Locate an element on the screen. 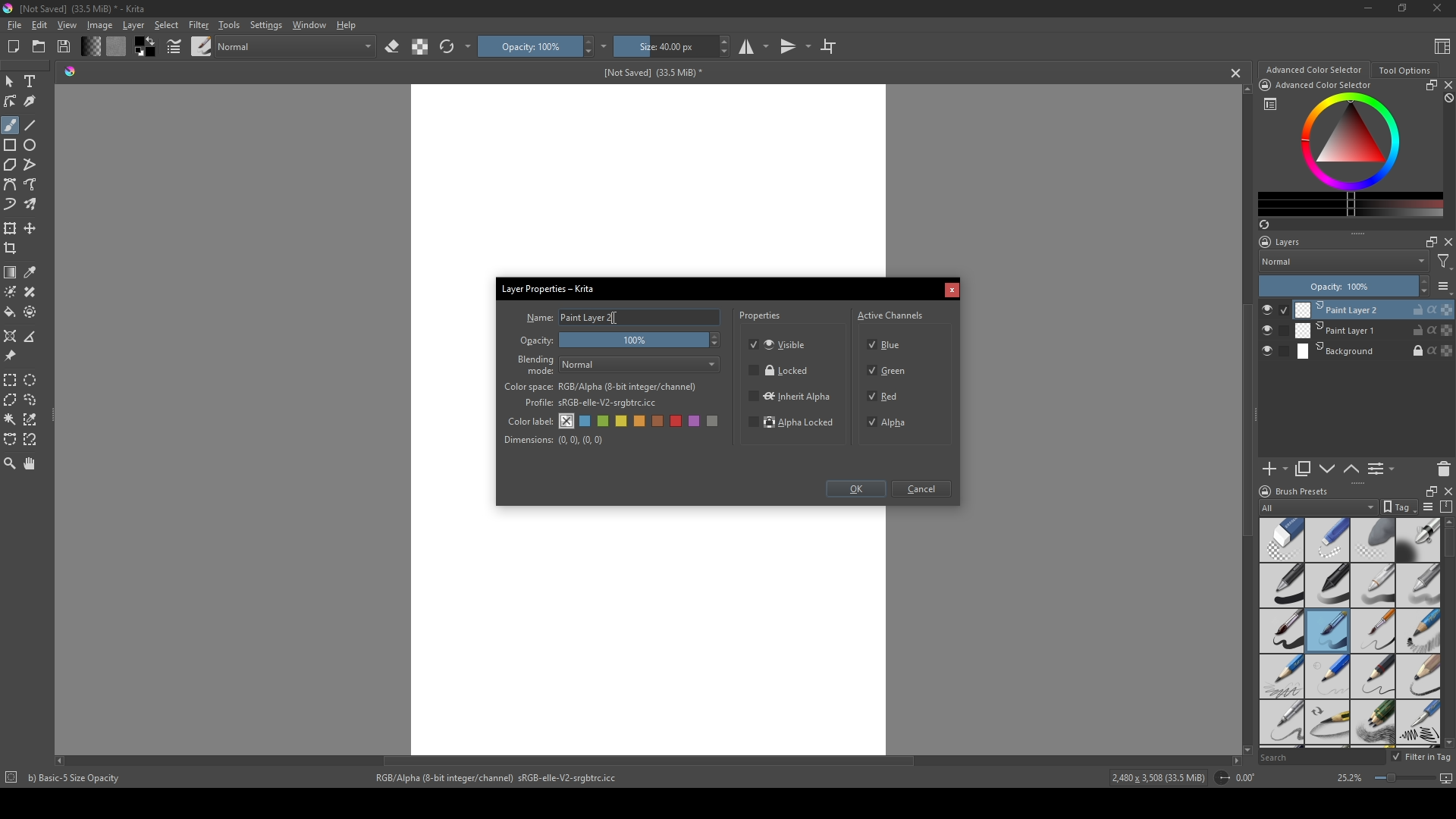 This screenshot has height=819, width=1456. scroll up is located at coordinates (1244, 89).